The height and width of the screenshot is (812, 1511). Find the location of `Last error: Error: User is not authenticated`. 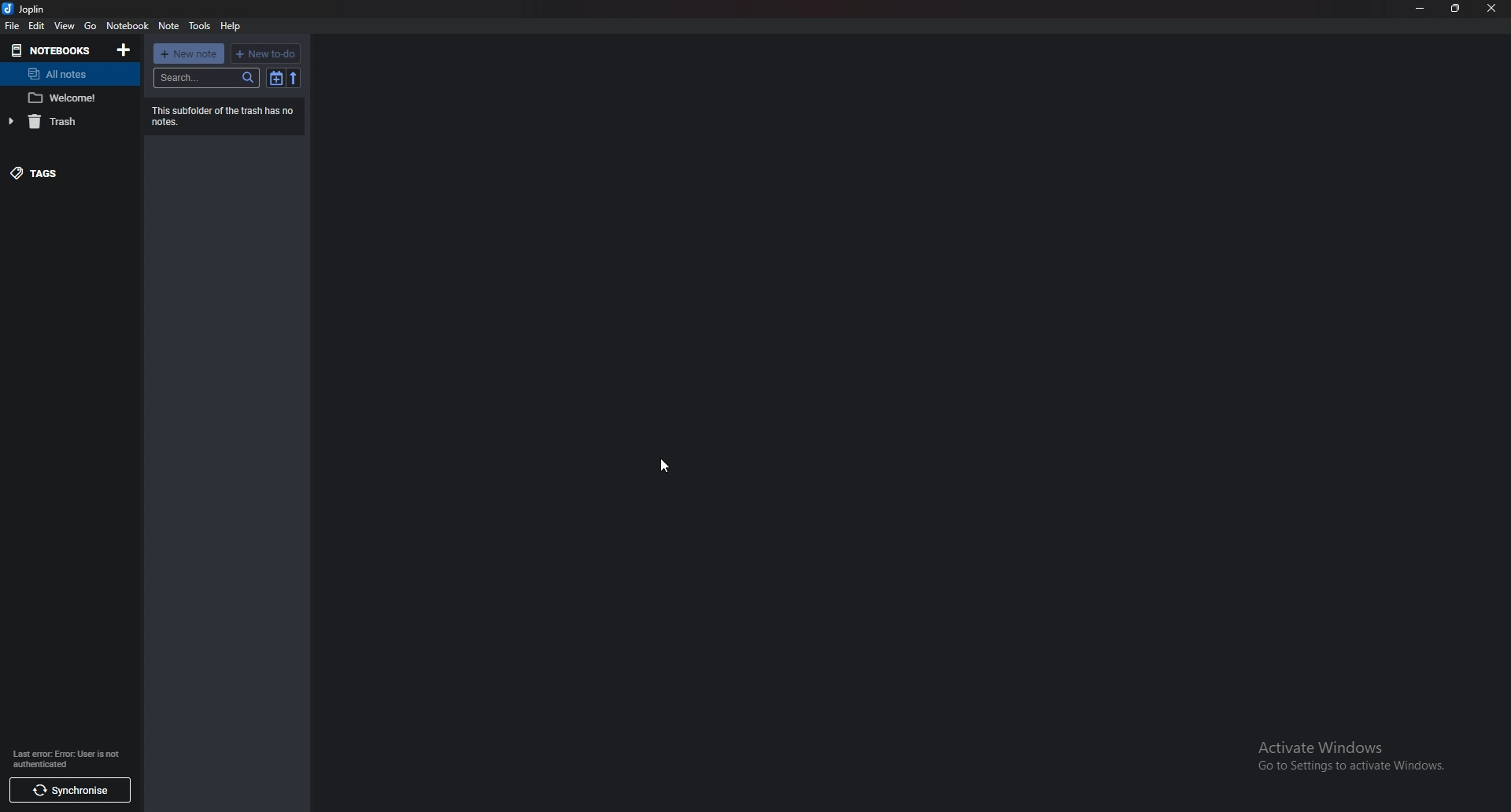

Last error: Error: User is not authenticated is located at coordinates (65, 758).